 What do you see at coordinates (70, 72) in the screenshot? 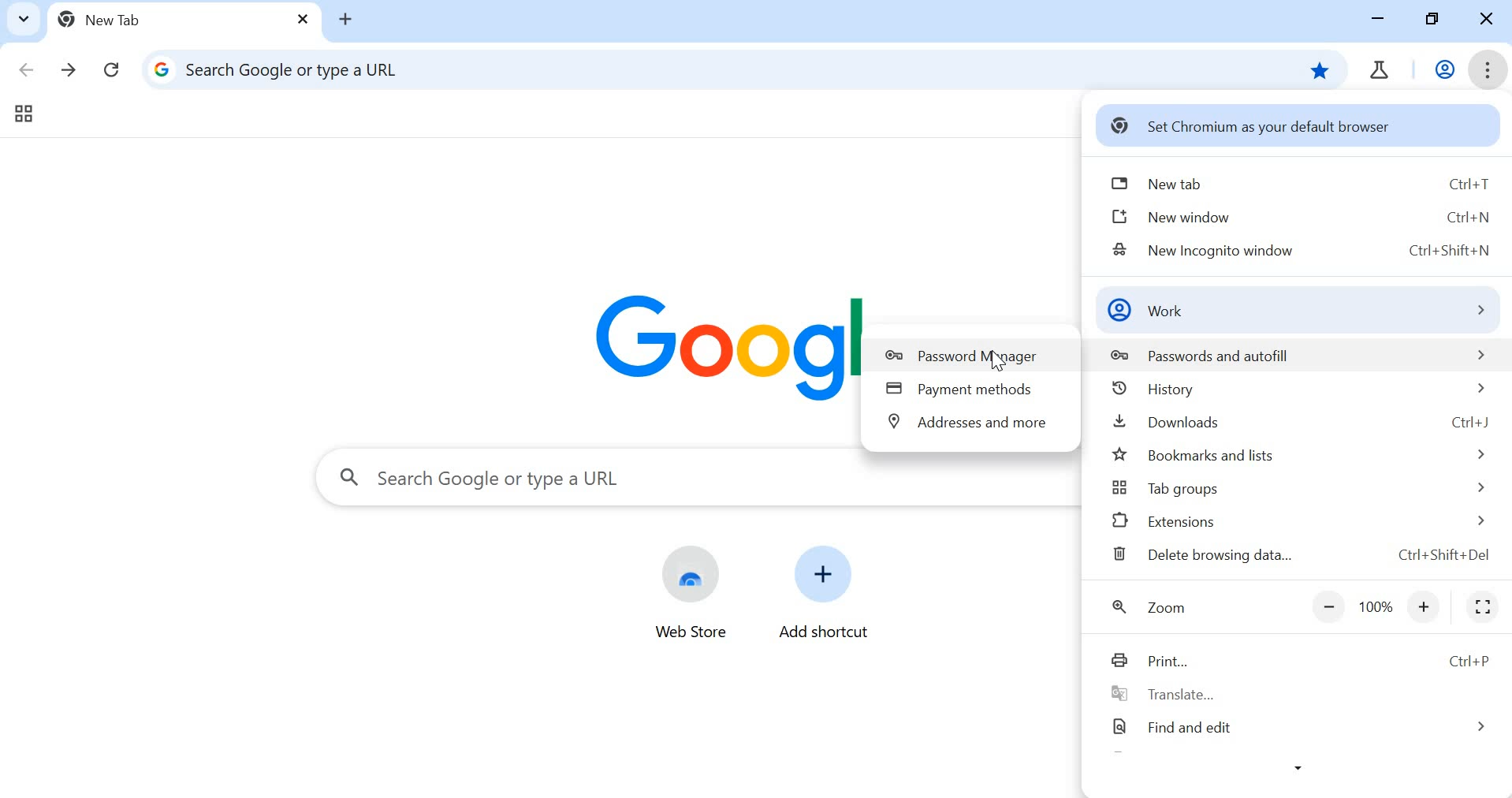
I see `click to go forward` at bounding box center [70, 72].